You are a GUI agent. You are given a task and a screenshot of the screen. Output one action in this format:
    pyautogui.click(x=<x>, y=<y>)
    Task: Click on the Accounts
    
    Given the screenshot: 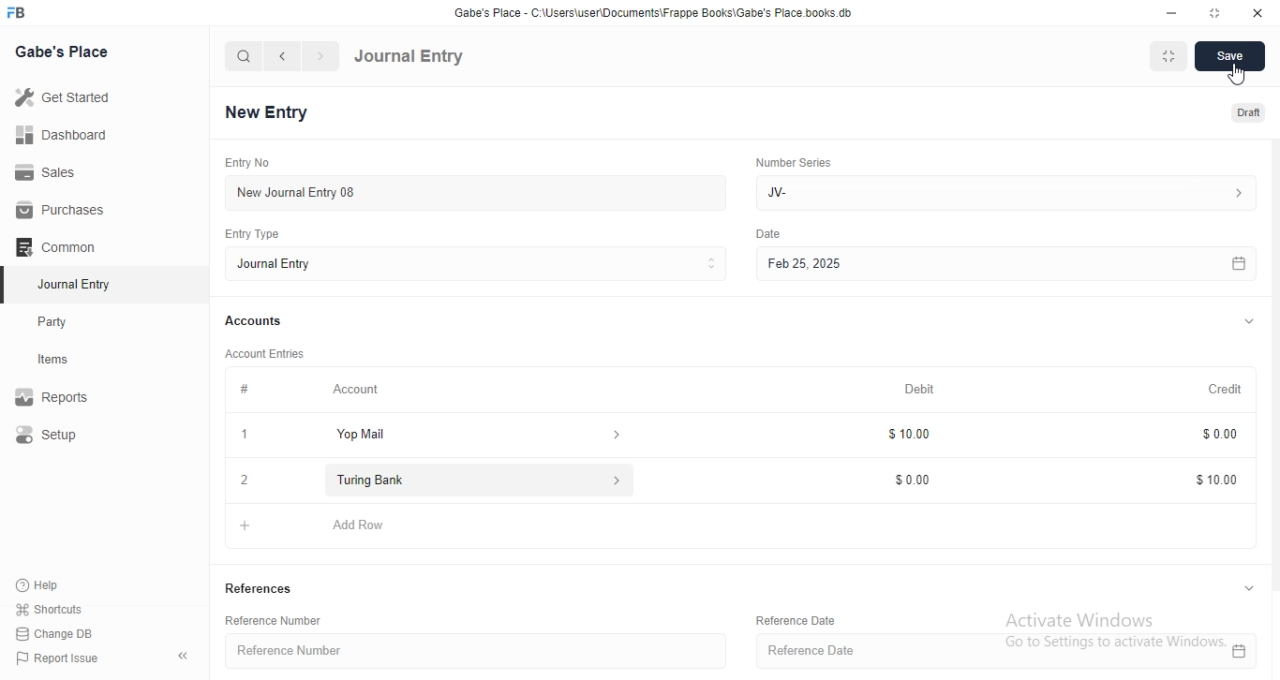 What is the action you would take?
    pyautogui.click(x=255, y=322)
    